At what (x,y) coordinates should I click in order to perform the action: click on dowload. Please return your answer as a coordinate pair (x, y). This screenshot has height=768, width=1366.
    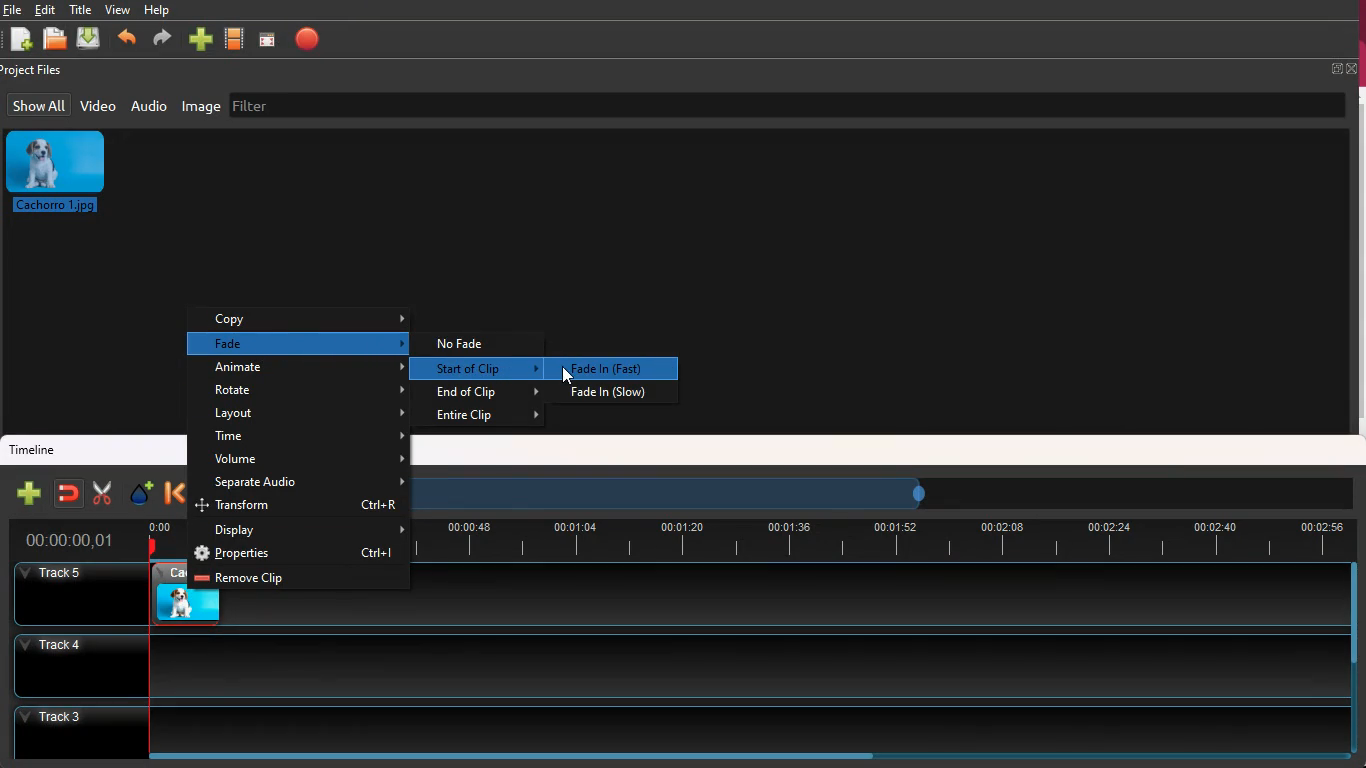
    Looking at the image, I should click on (92, 40).